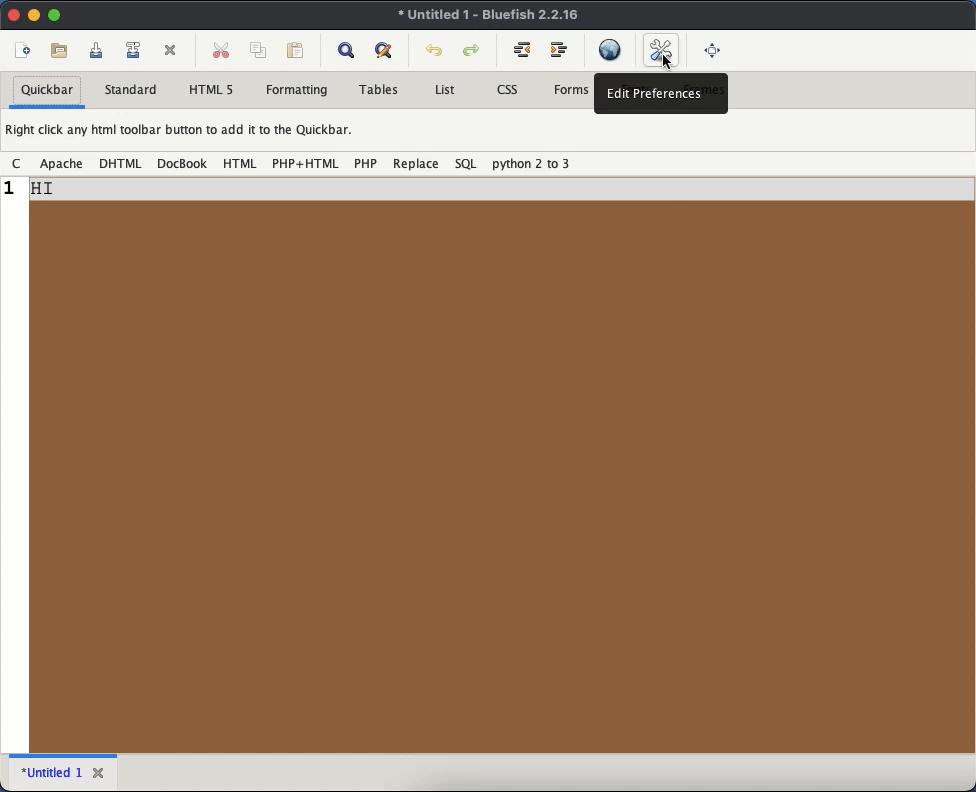 This screenshot has height=792, width=976. What do you see at coordinates (505, 90) in the screenshot?
I see `css` at bounding box center [505, 90].